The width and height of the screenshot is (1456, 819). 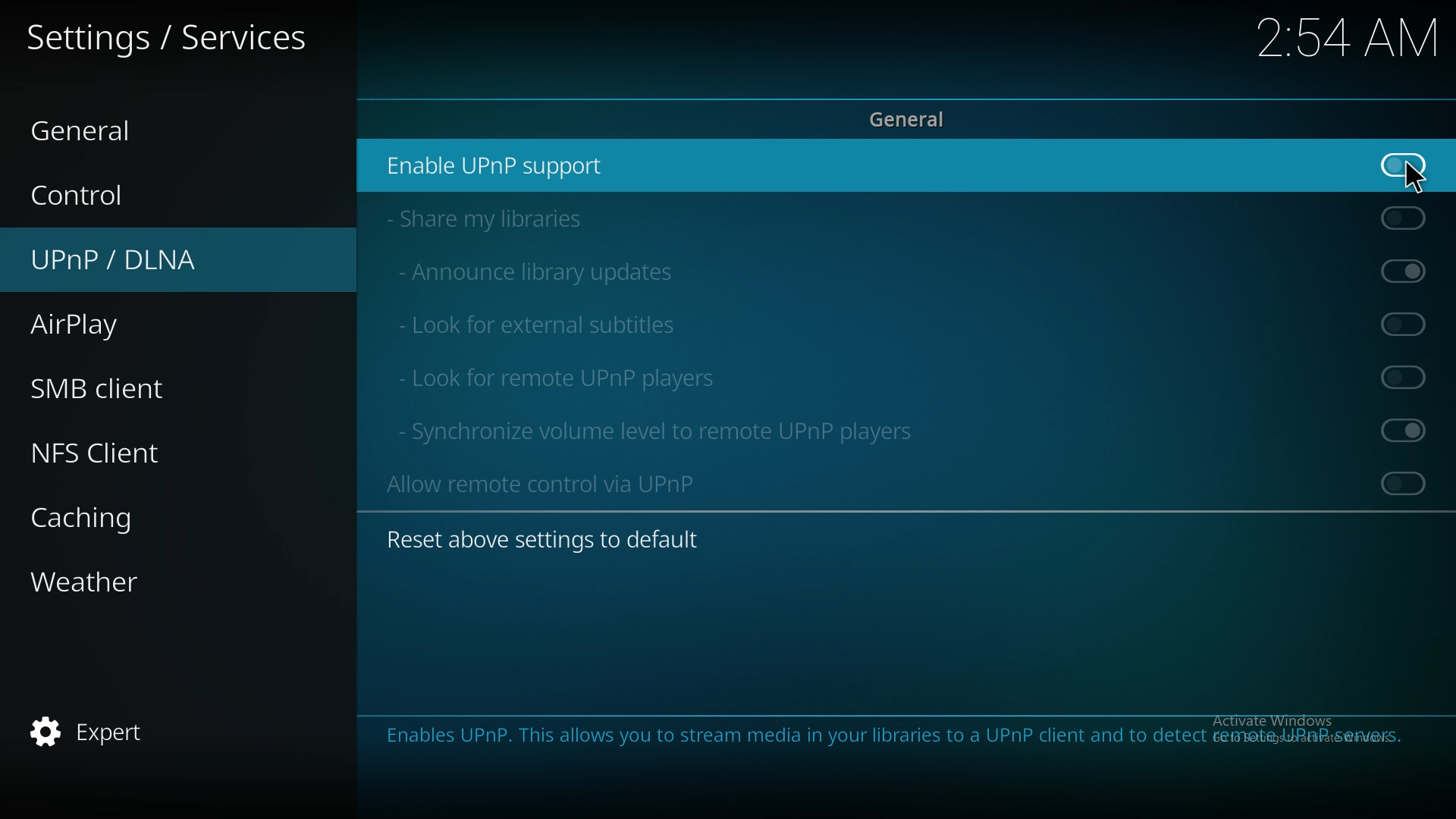 I want to click on general, so click(x=915, y=121).